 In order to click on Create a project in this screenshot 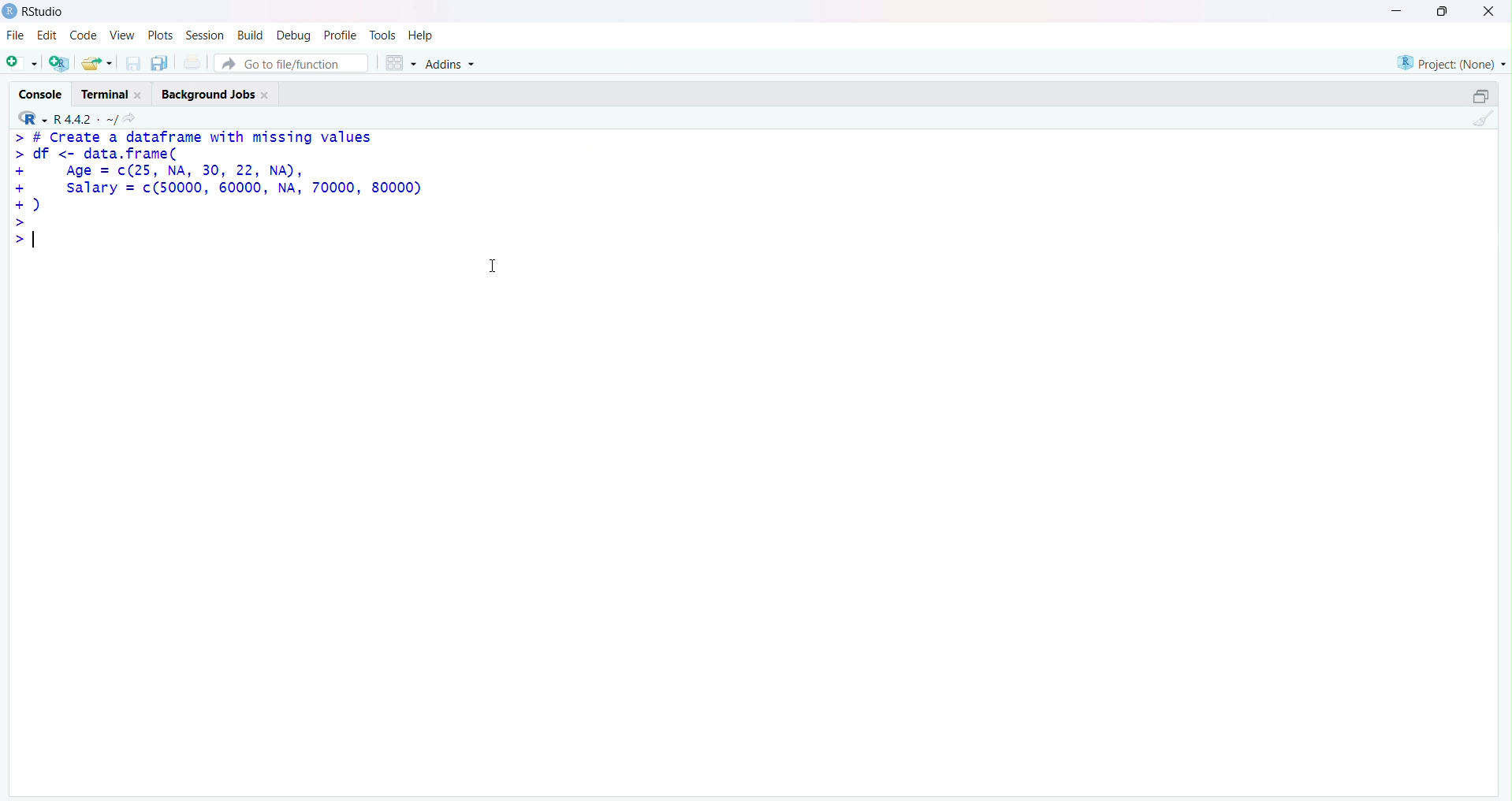, I will do `click(60, 61)`.